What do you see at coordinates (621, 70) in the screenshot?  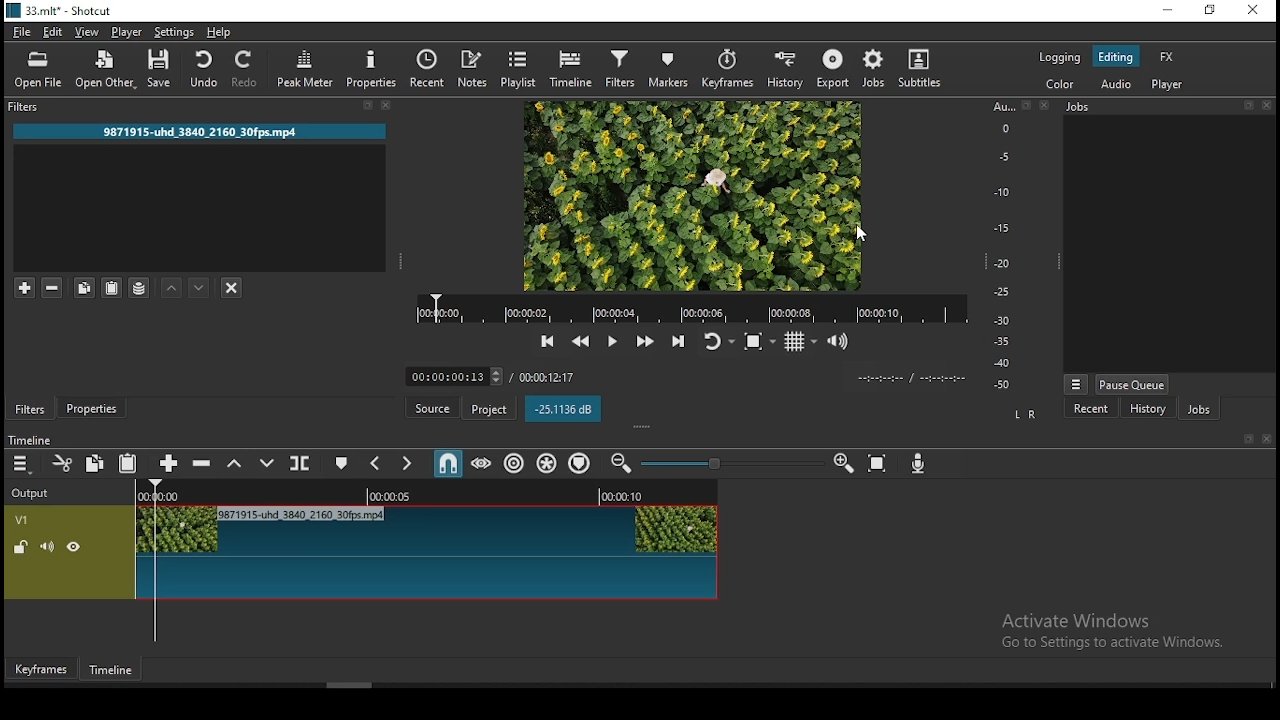 I see `filters` at bounding box center [621, 70].